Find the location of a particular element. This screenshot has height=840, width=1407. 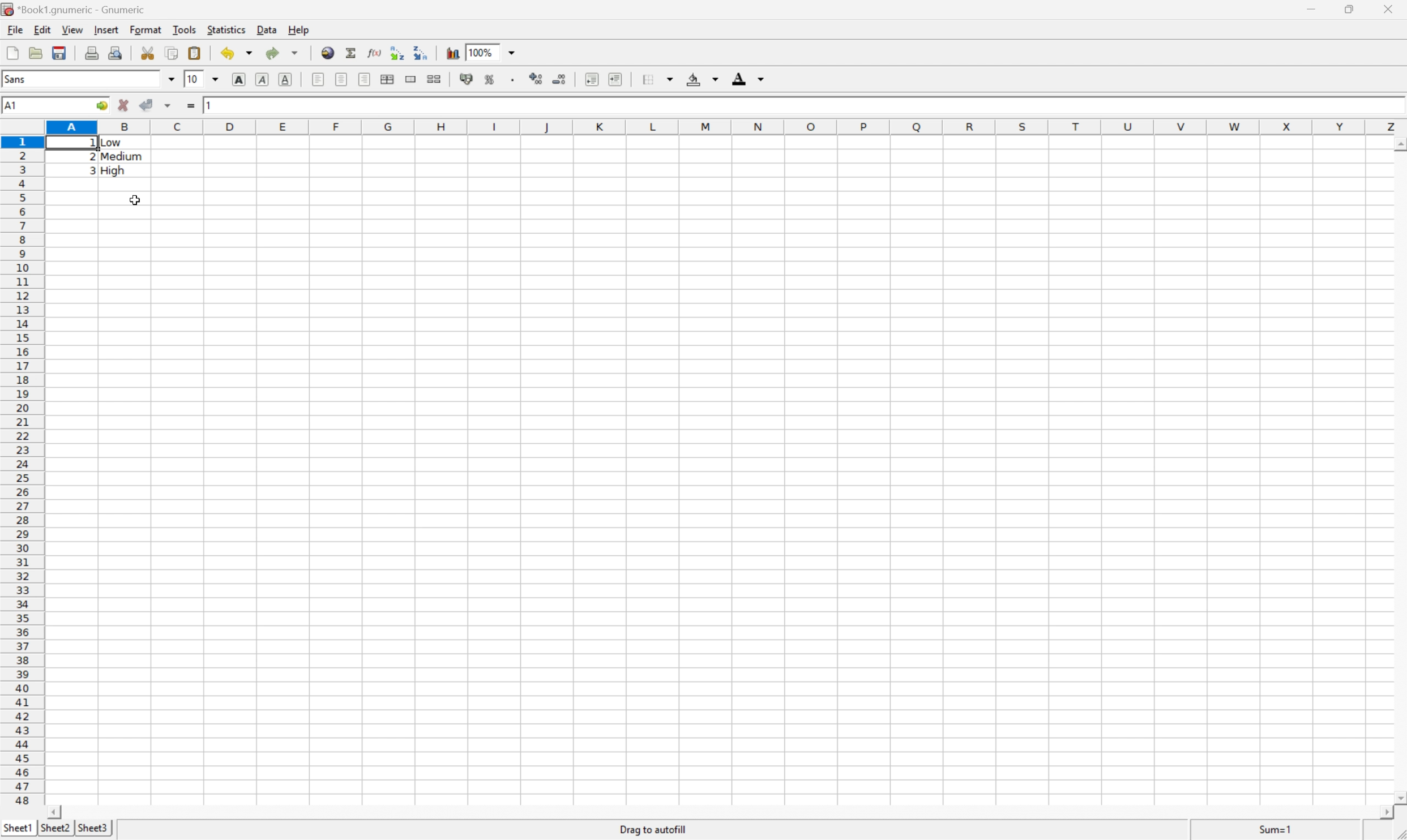

Print current file is located at coordinates (92, 52).